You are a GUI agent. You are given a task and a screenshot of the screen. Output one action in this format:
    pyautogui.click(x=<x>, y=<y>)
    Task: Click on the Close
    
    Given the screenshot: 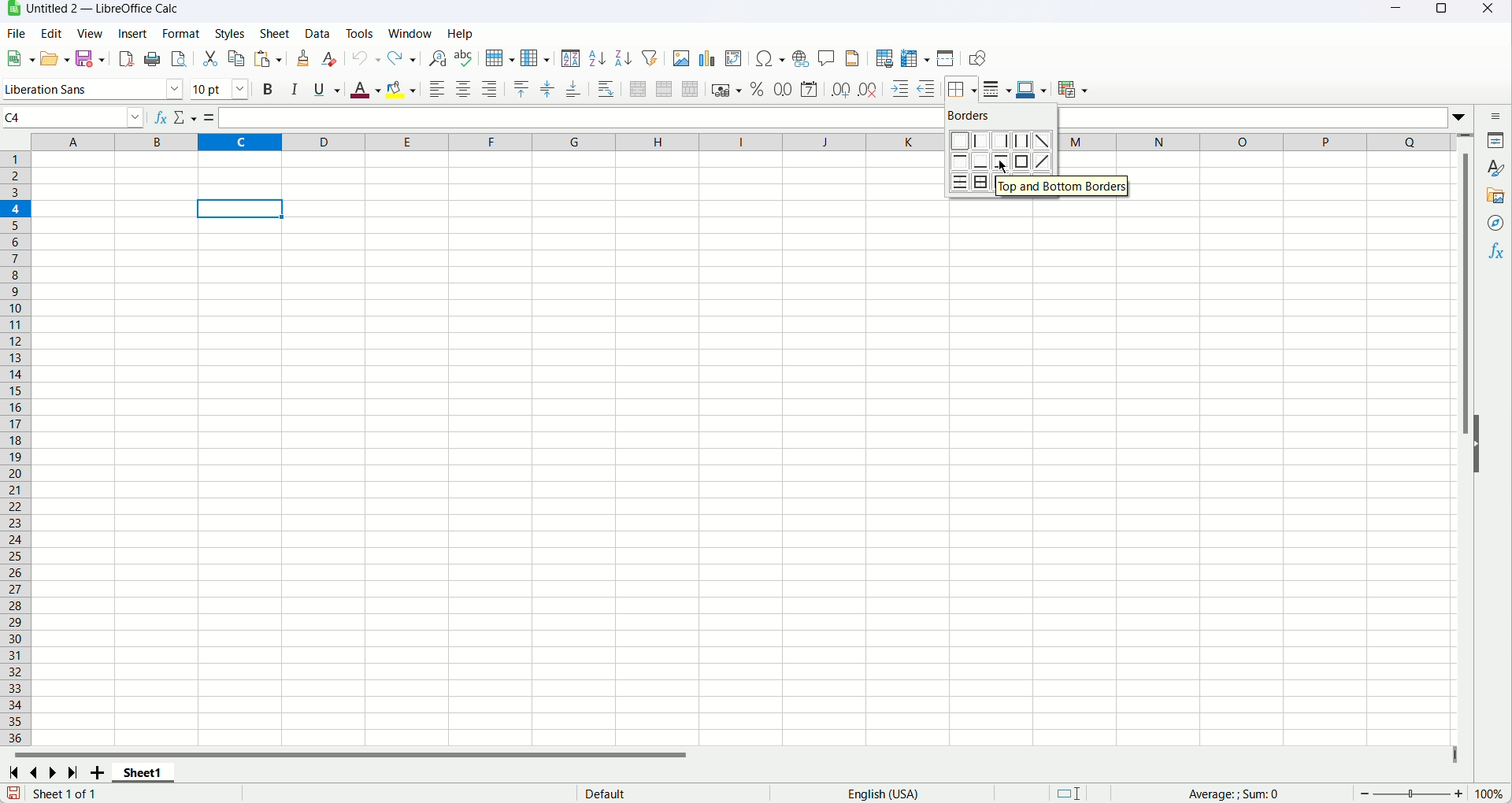 What is the action you would take?
    pyautogui.click(x=1492, y=12)
    